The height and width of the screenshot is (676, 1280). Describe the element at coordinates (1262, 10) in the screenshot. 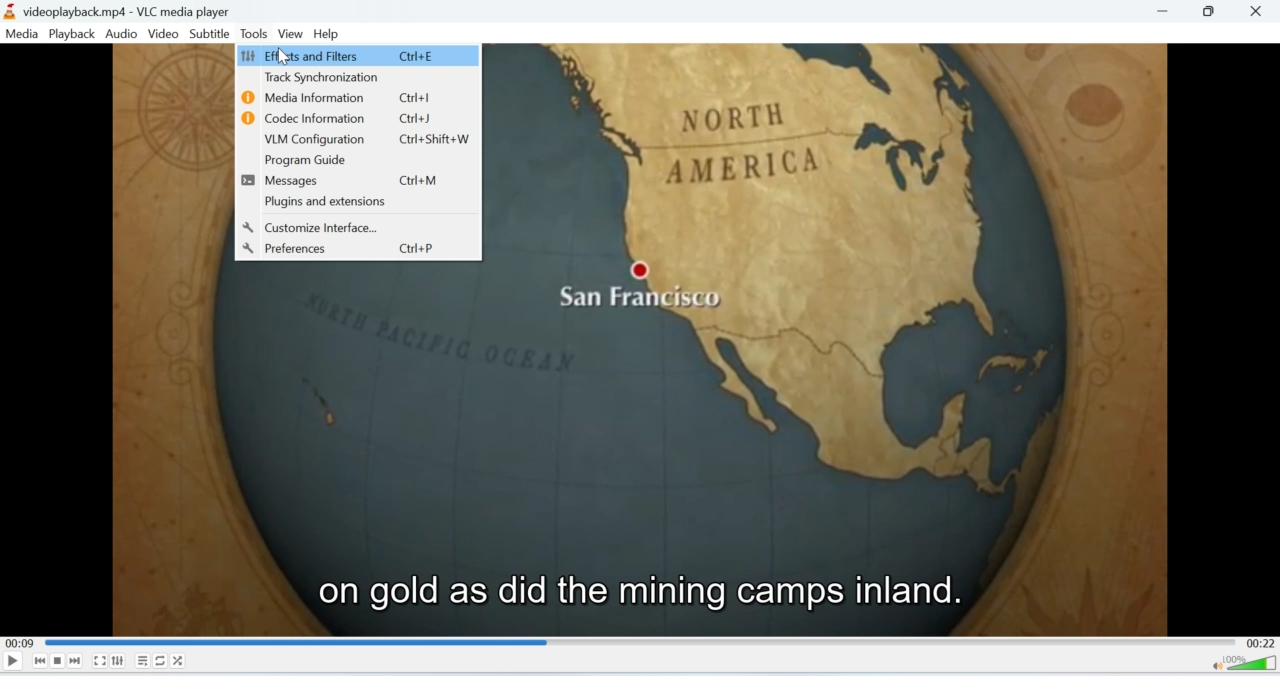

I see `Close` at that location.